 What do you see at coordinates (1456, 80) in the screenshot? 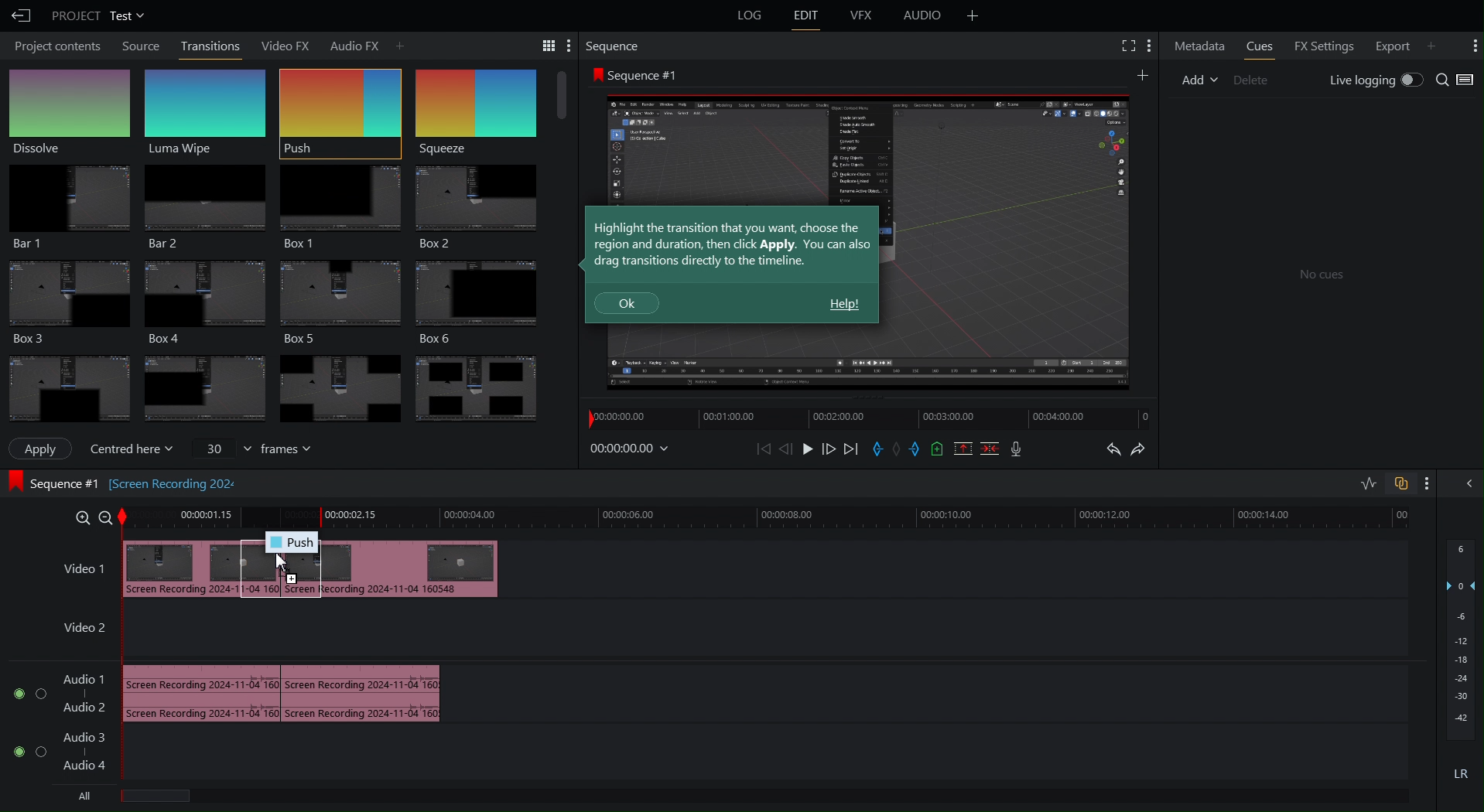
I see `Search` at bounding box center [1456, 80].